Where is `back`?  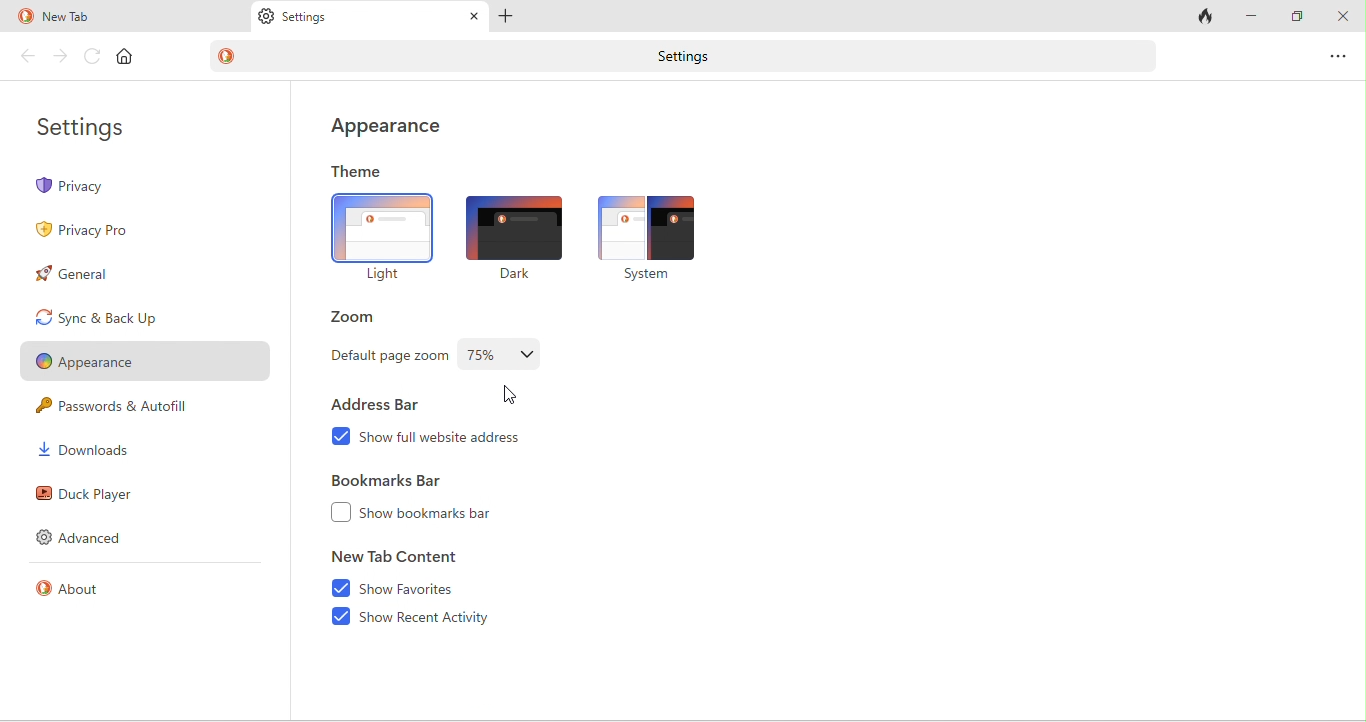 back is located at coordinates (29, 57).